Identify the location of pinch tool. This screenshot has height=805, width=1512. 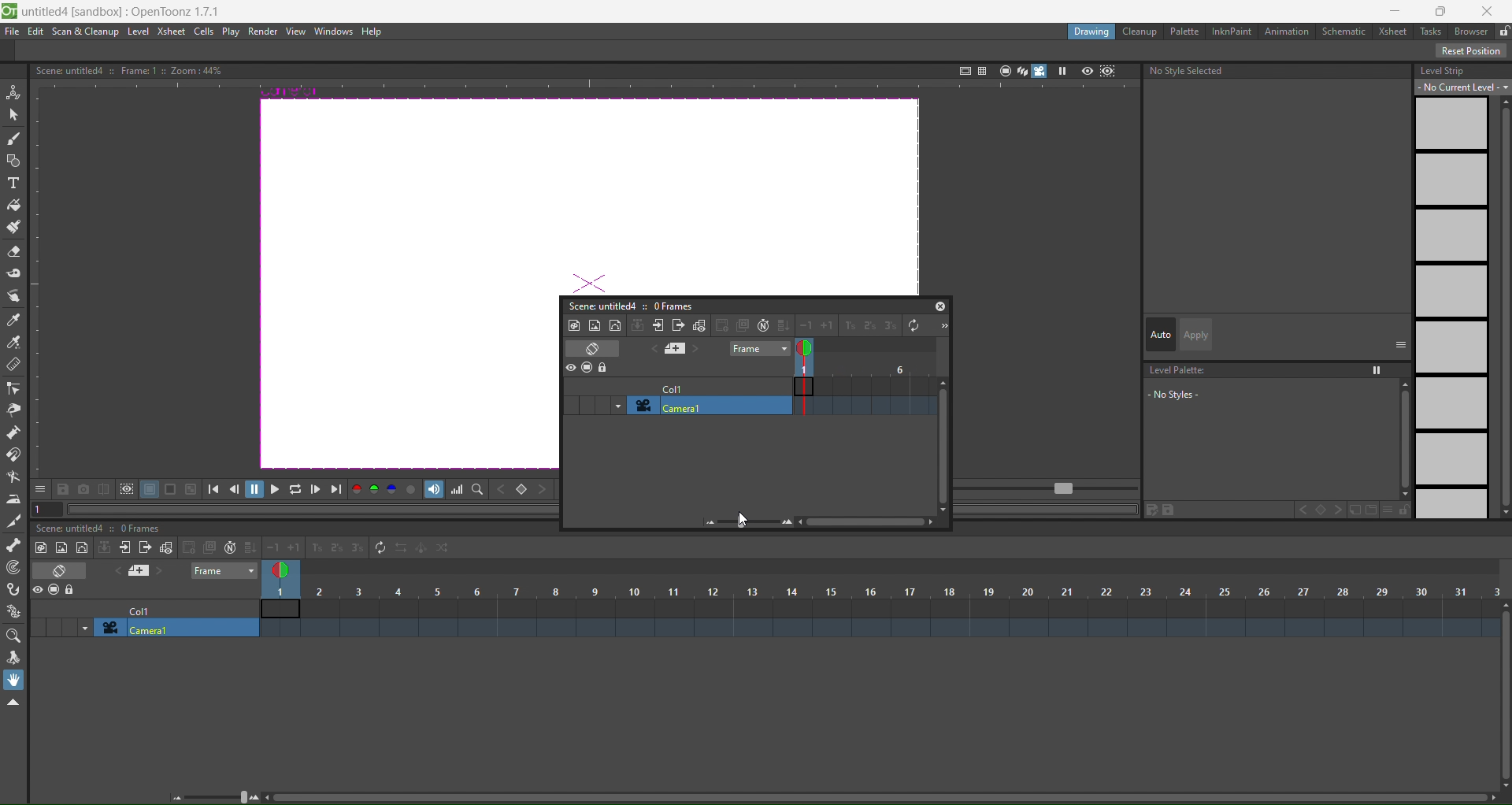
(13, 410).